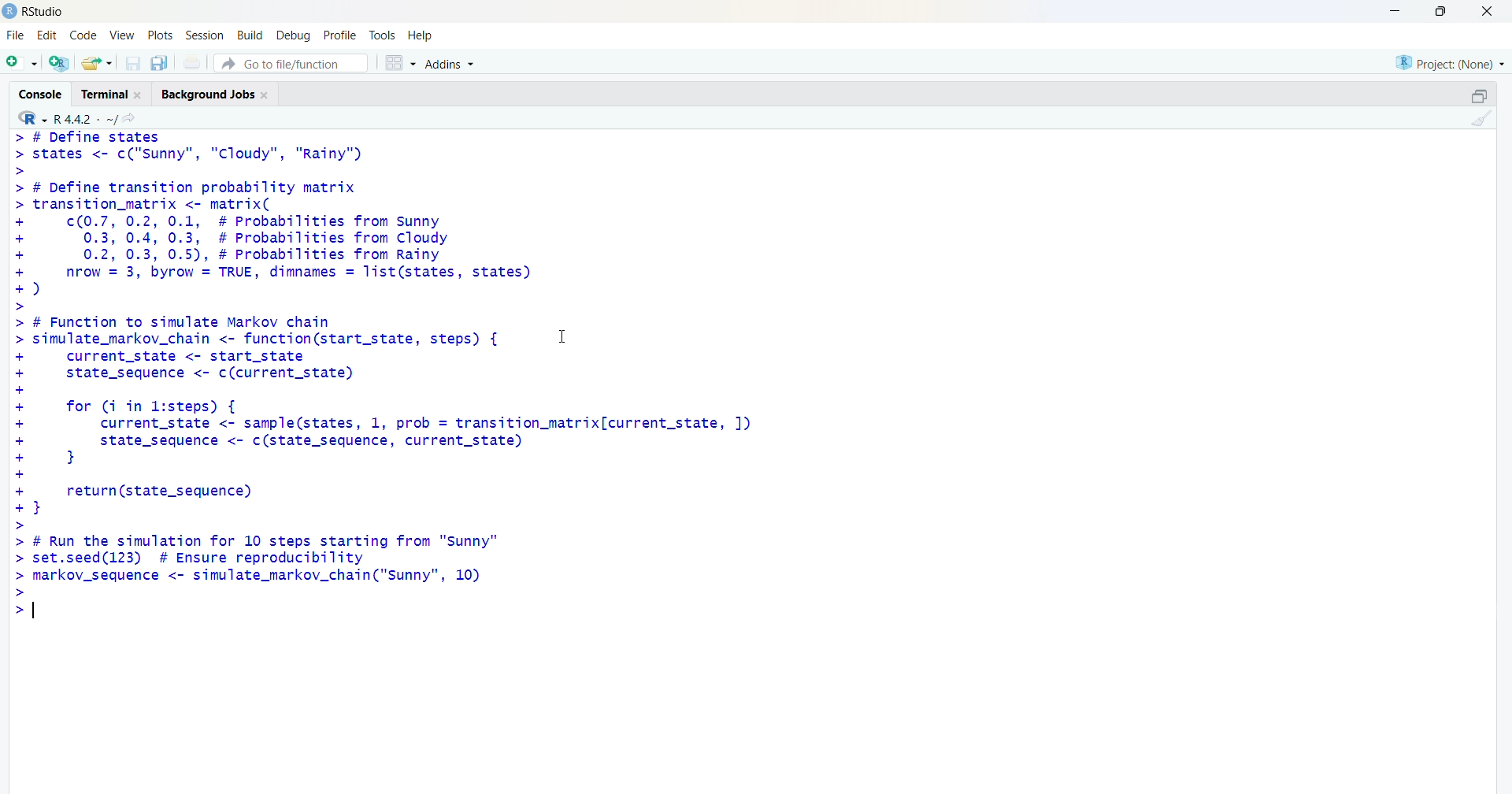 The image size is (1512, 794). I want to click on edit, so click(48, 33).